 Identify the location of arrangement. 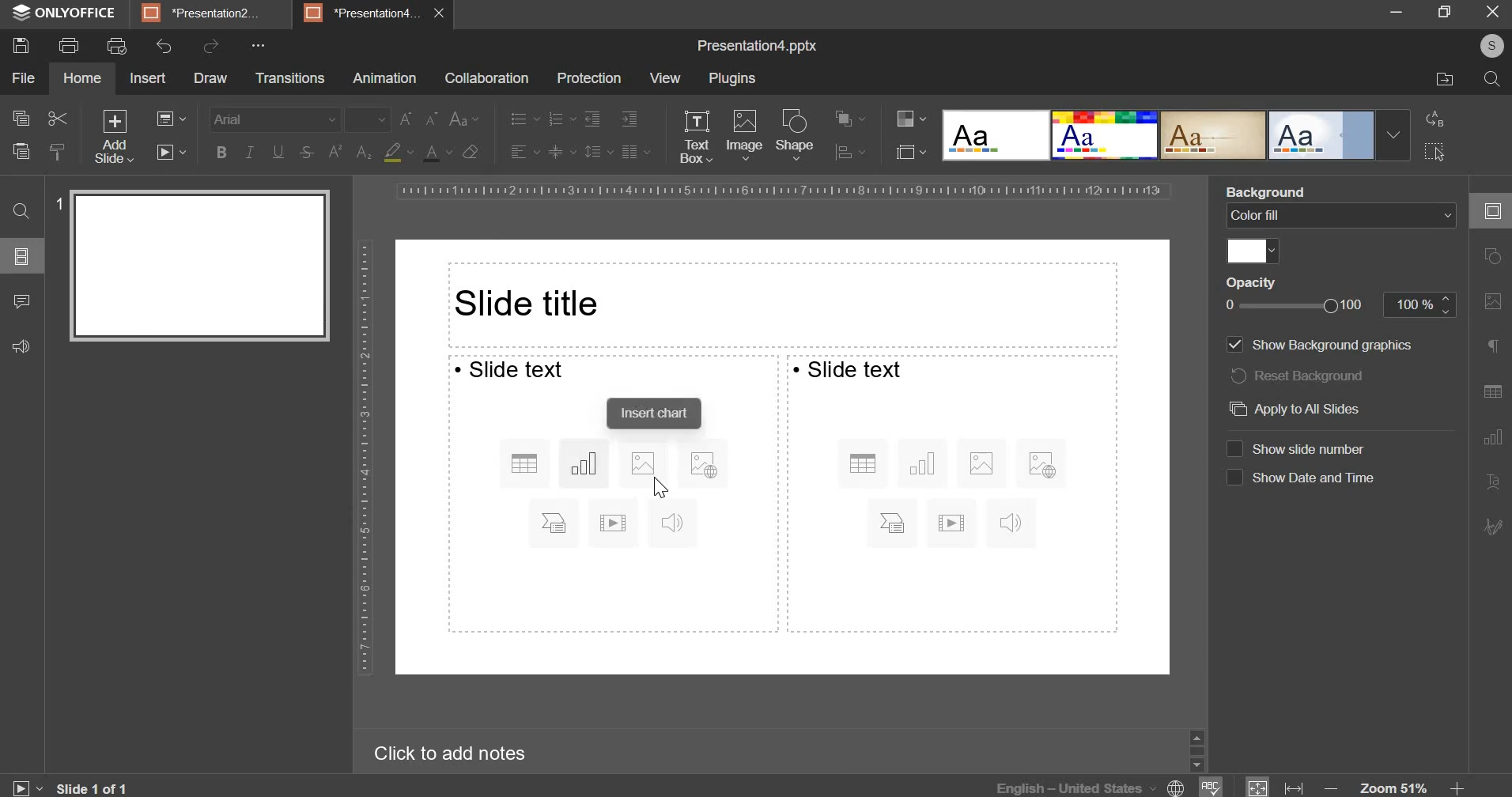
(845, 116).